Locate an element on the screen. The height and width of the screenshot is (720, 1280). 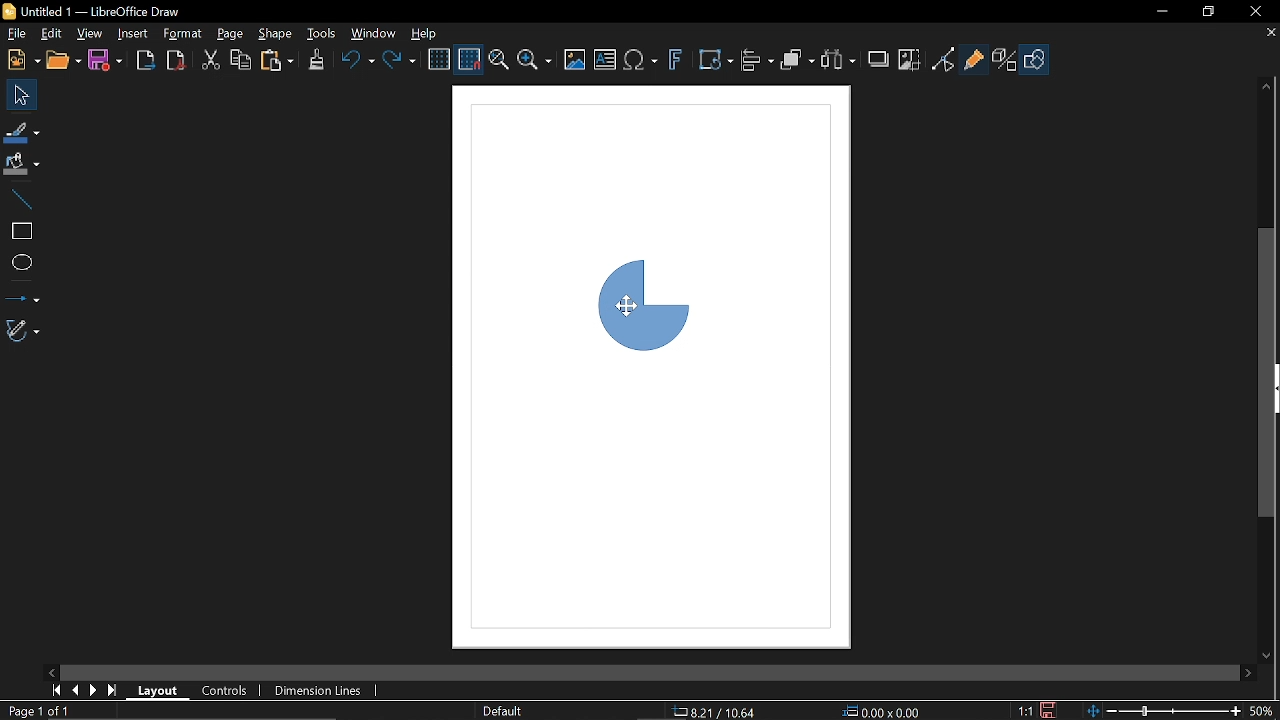
Copy is located at coordinates (241, 61).